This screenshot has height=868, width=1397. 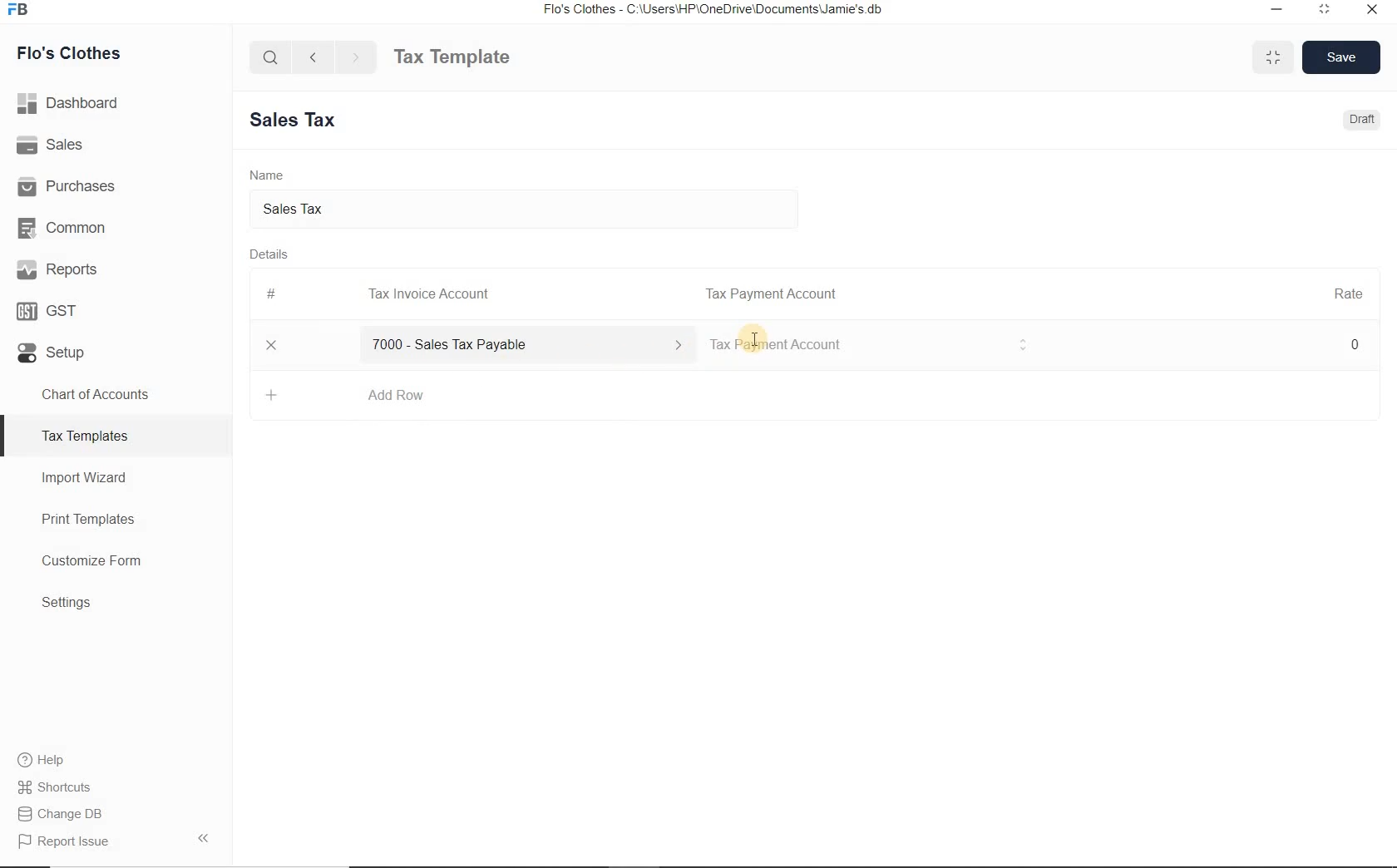 What do you see at coordinates (116, 349) in the screenshot?
I see `Setup` at bounding box center [116, 349].